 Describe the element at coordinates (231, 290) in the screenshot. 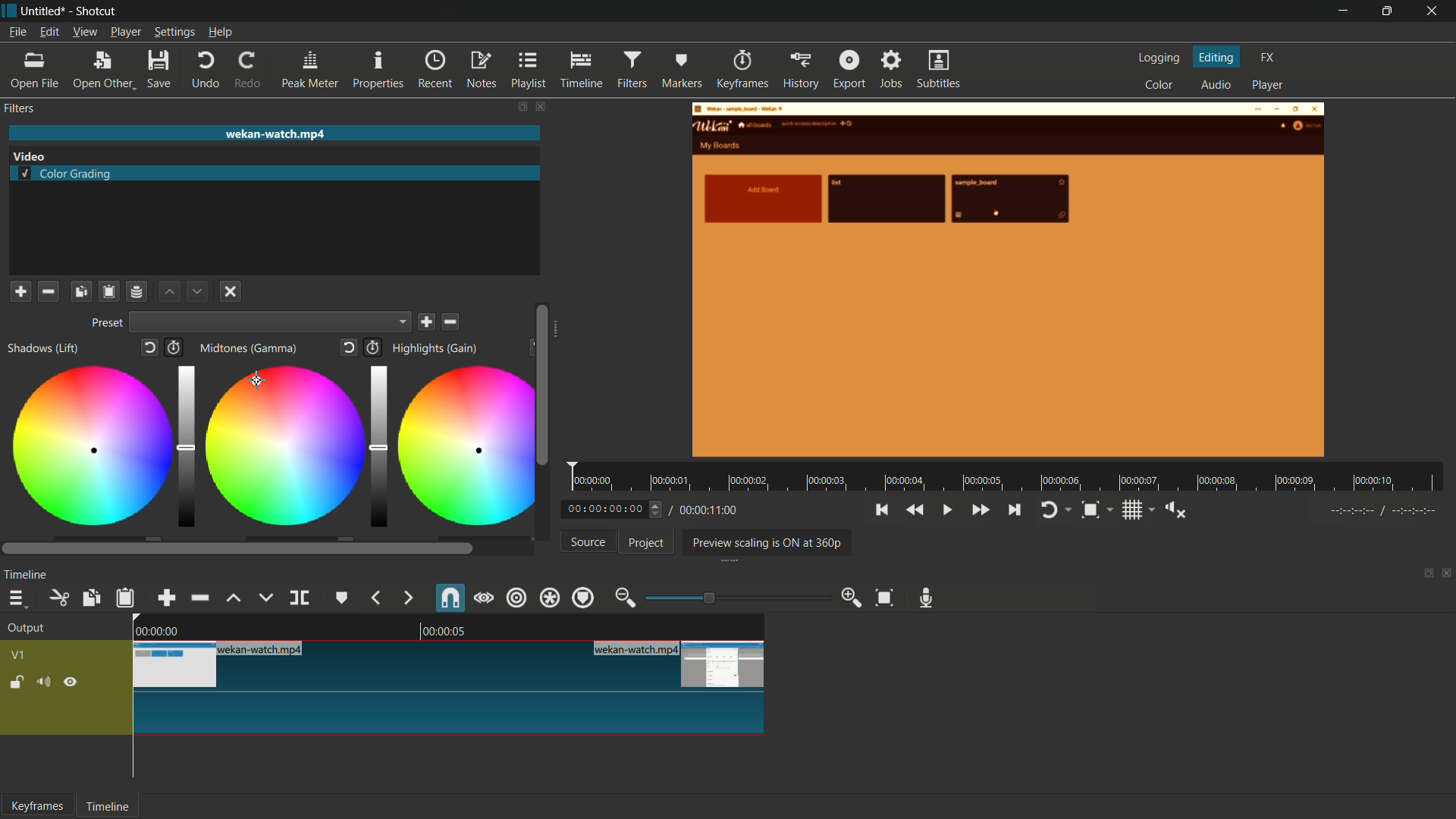

I see `deselect a filter` at that location.